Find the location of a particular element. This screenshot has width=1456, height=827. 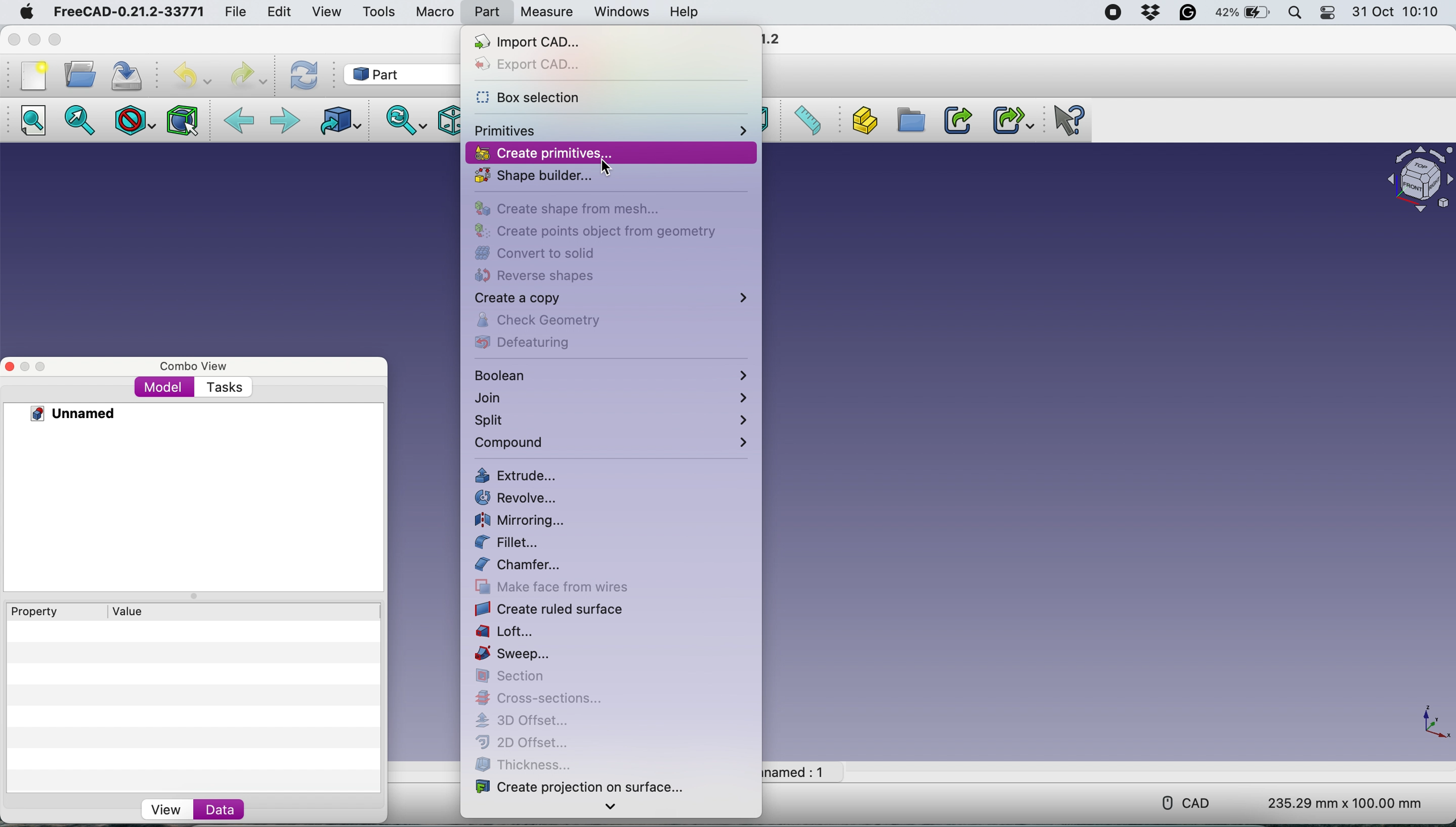

Object interface is located at coordinates (1418, 179).